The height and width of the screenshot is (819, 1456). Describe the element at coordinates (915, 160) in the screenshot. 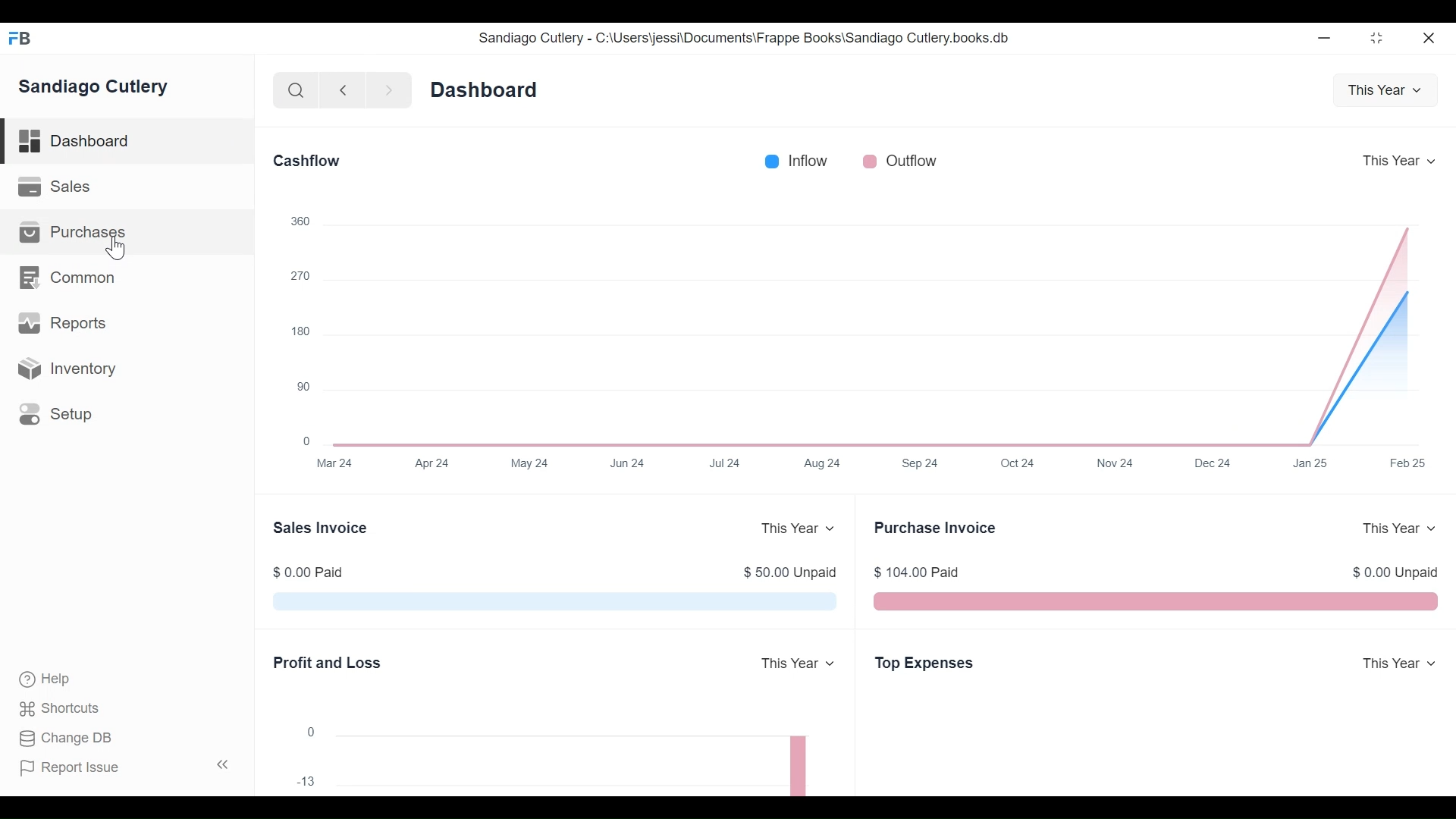

I see `Outflow` at that location.